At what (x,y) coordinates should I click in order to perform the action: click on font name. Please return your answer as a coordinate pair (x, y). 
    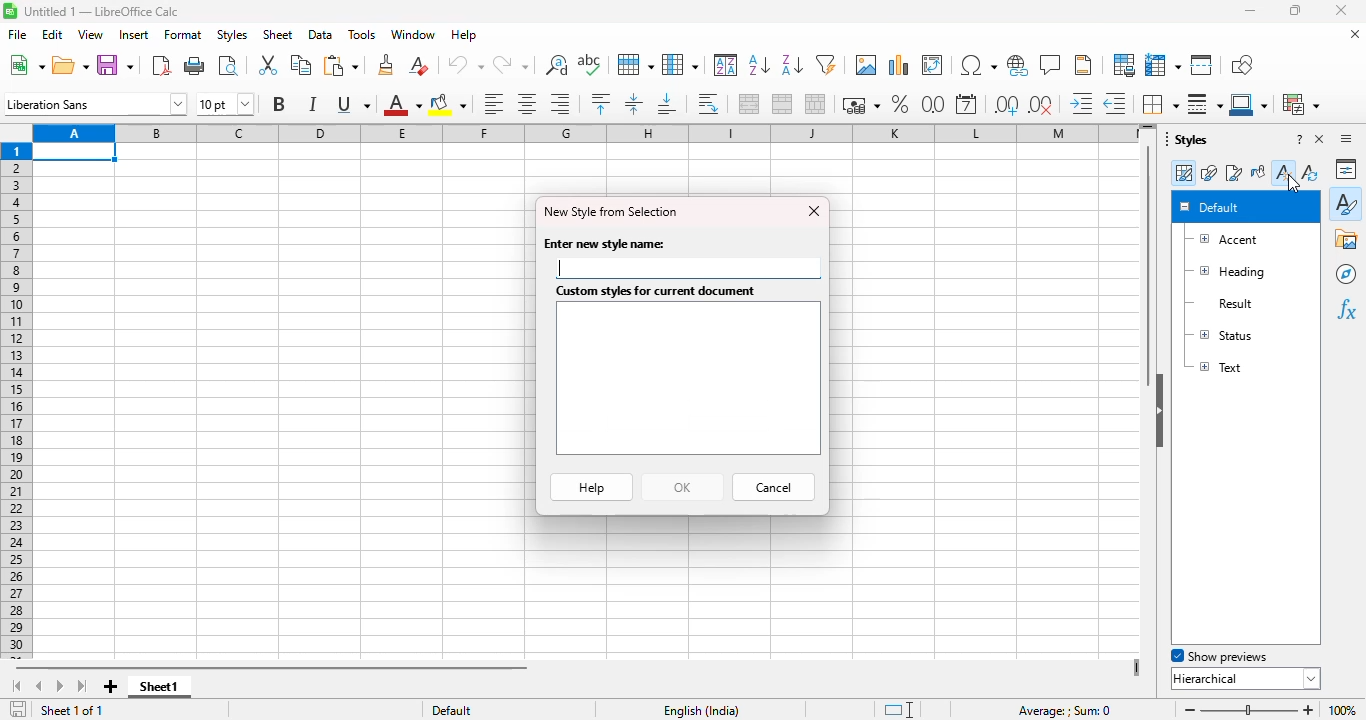
    Looking at the image, I should click on (96, 104).